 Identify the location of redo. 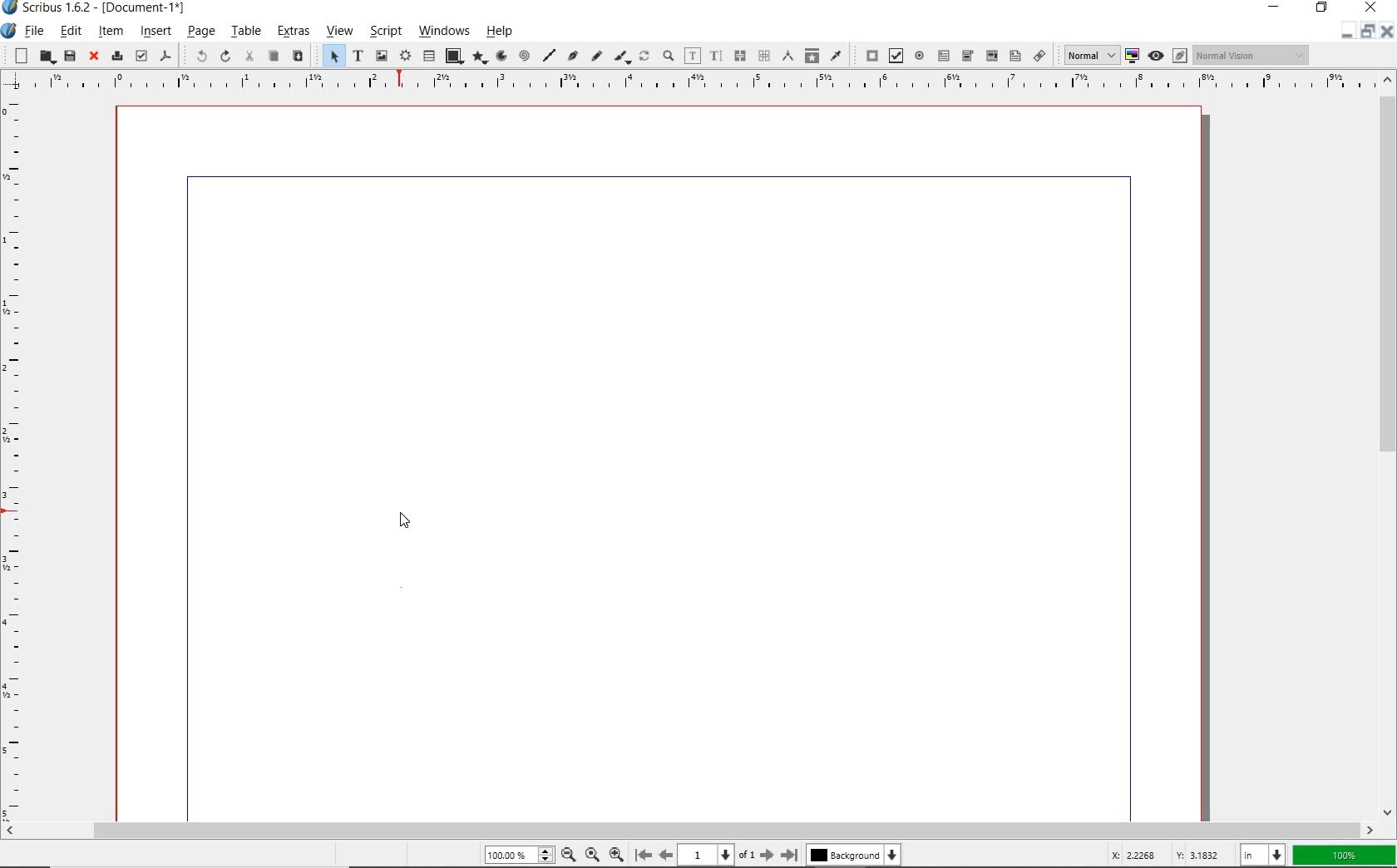
(224, 56).